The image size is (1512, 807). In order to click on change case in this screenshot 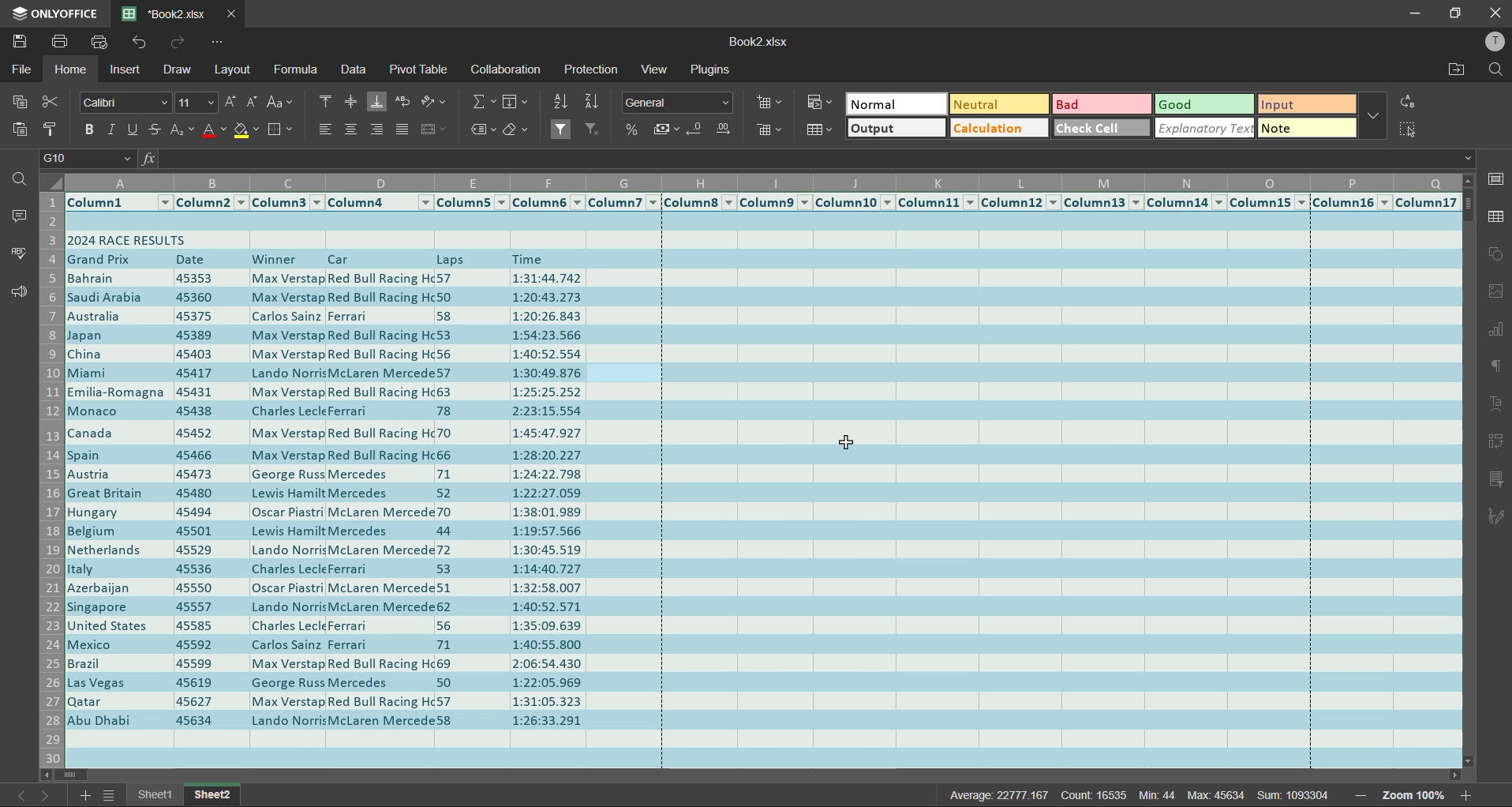, I will do `click(279, 103)`.